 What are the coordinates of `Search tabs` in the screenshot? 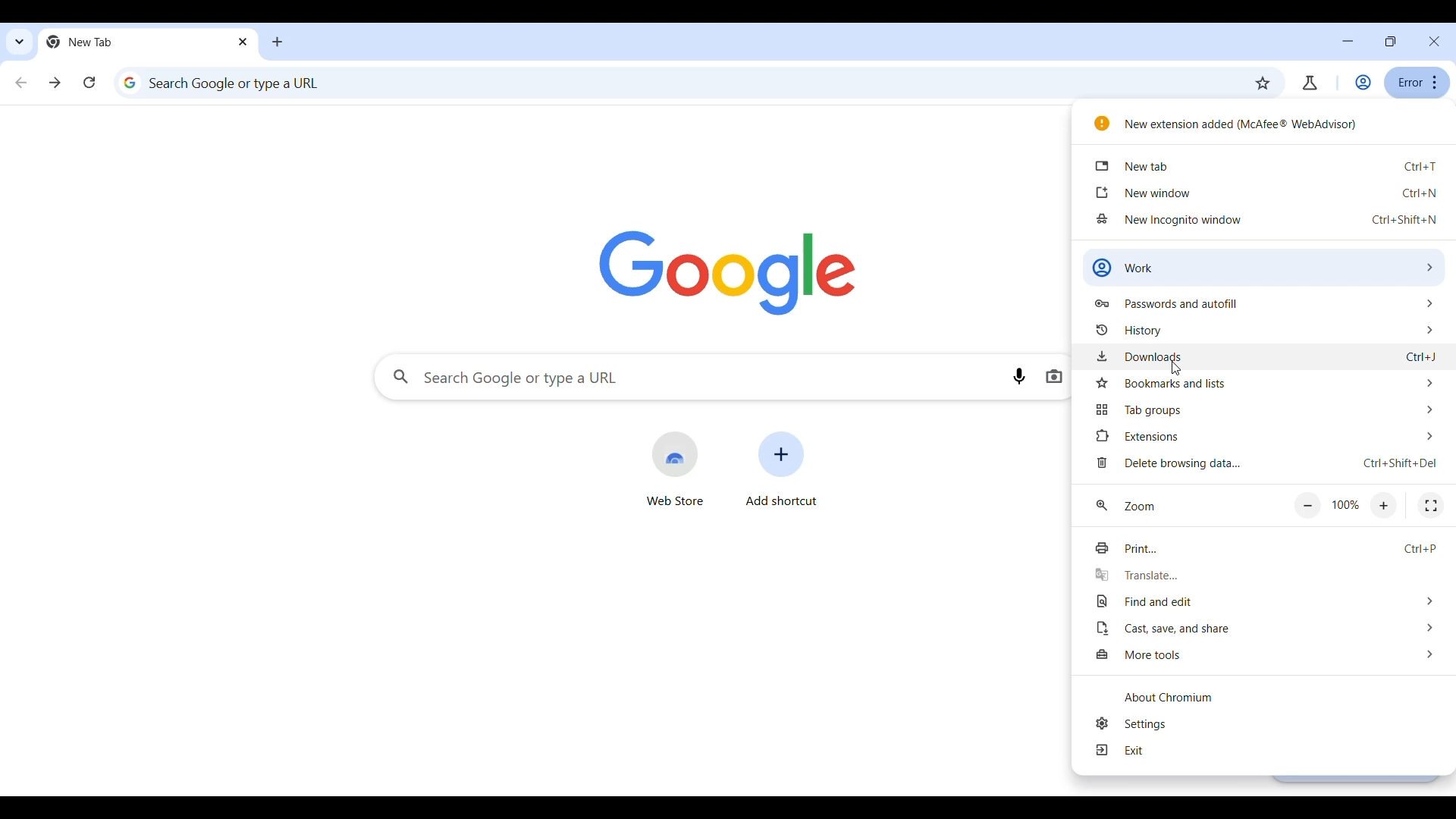 It's located at (20, 42).